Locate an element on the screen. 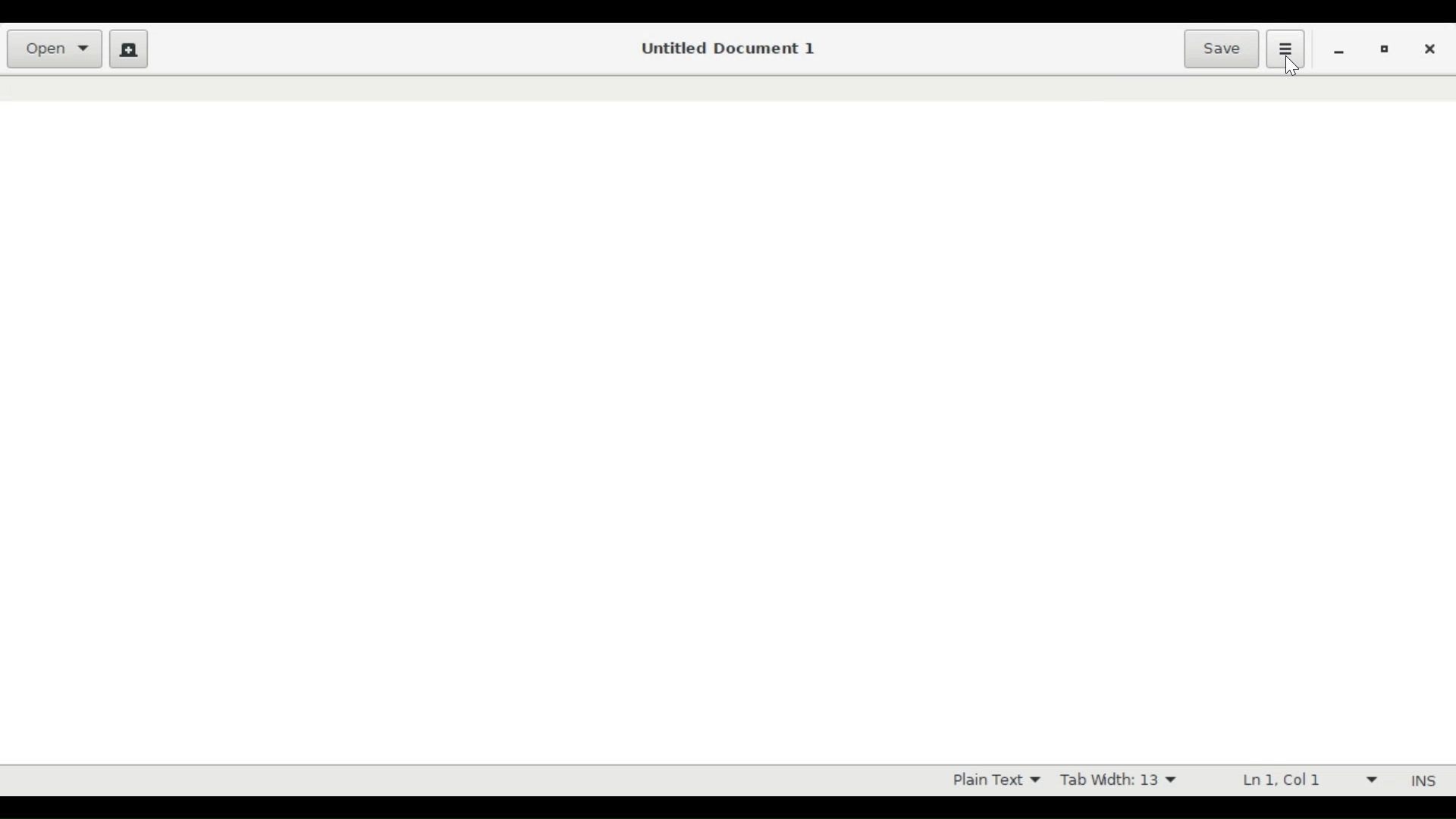 The image size is (1456, 819). Restore is located at coordinates (1386, 50).